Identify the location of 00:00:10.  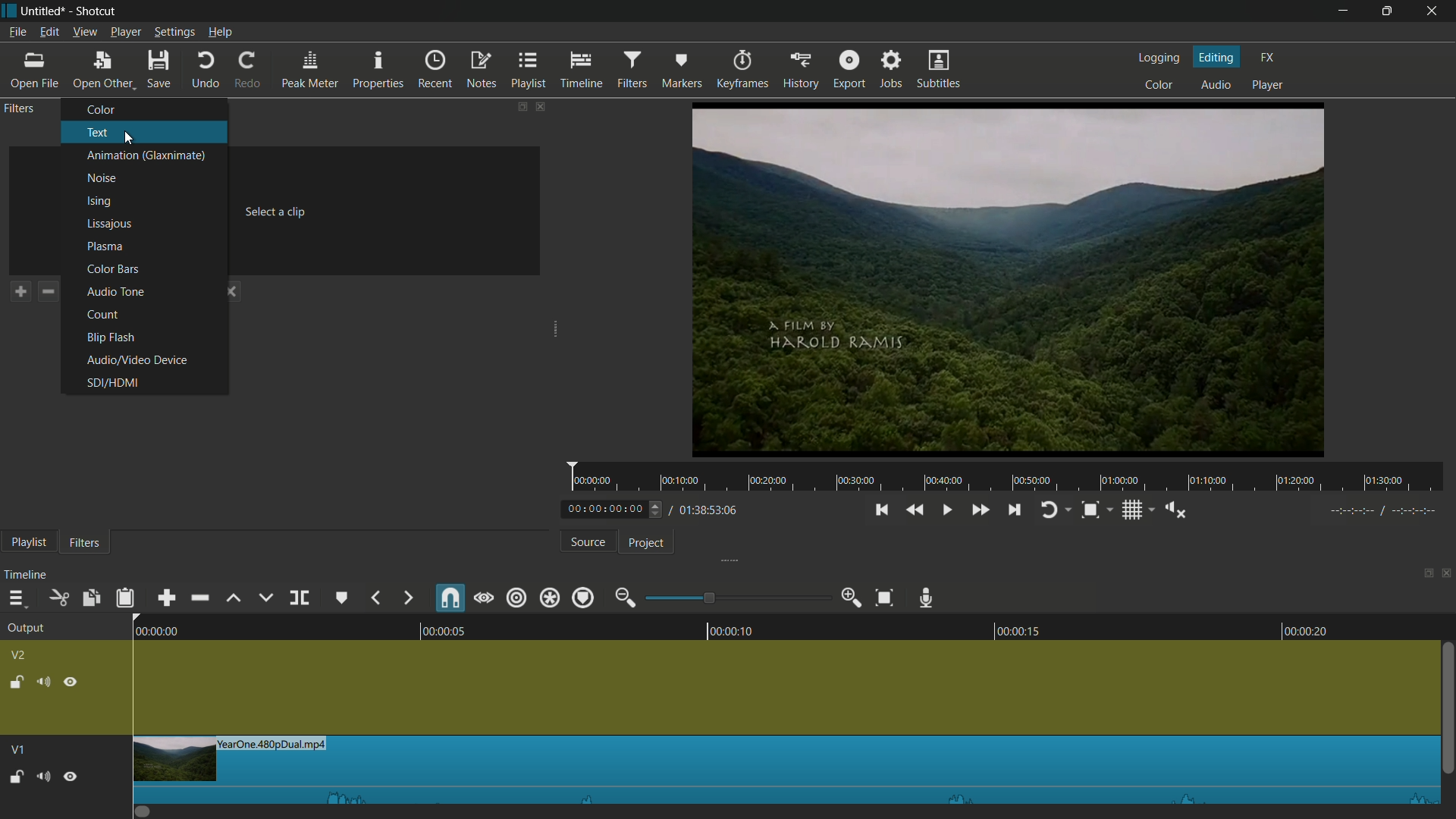
(734, 629).